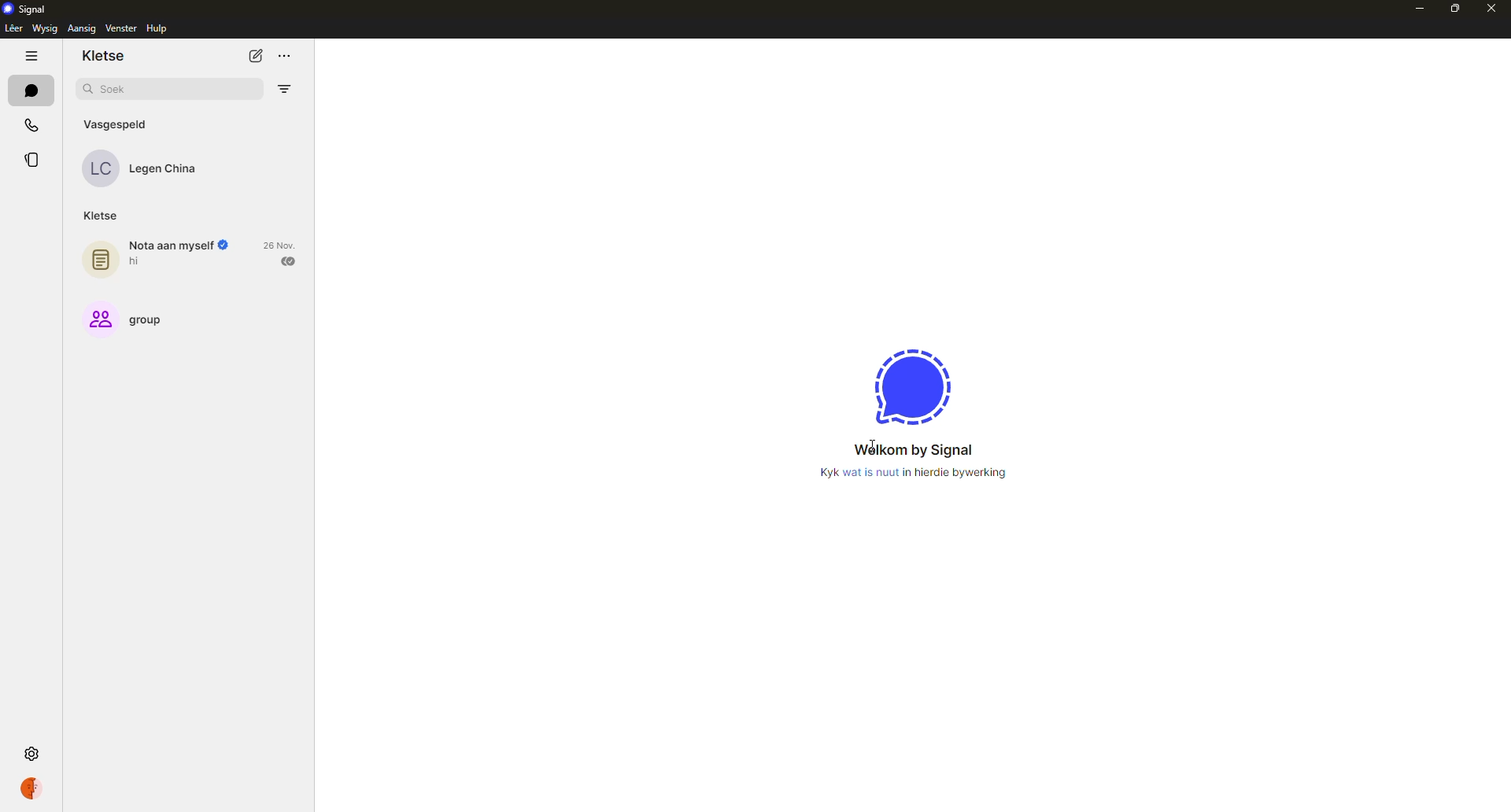 This screenshot has height=812, width=1511. What do you see at coordinates (34, 788) in the screenshot?
I see `profile` at bounding box center [34, 788].